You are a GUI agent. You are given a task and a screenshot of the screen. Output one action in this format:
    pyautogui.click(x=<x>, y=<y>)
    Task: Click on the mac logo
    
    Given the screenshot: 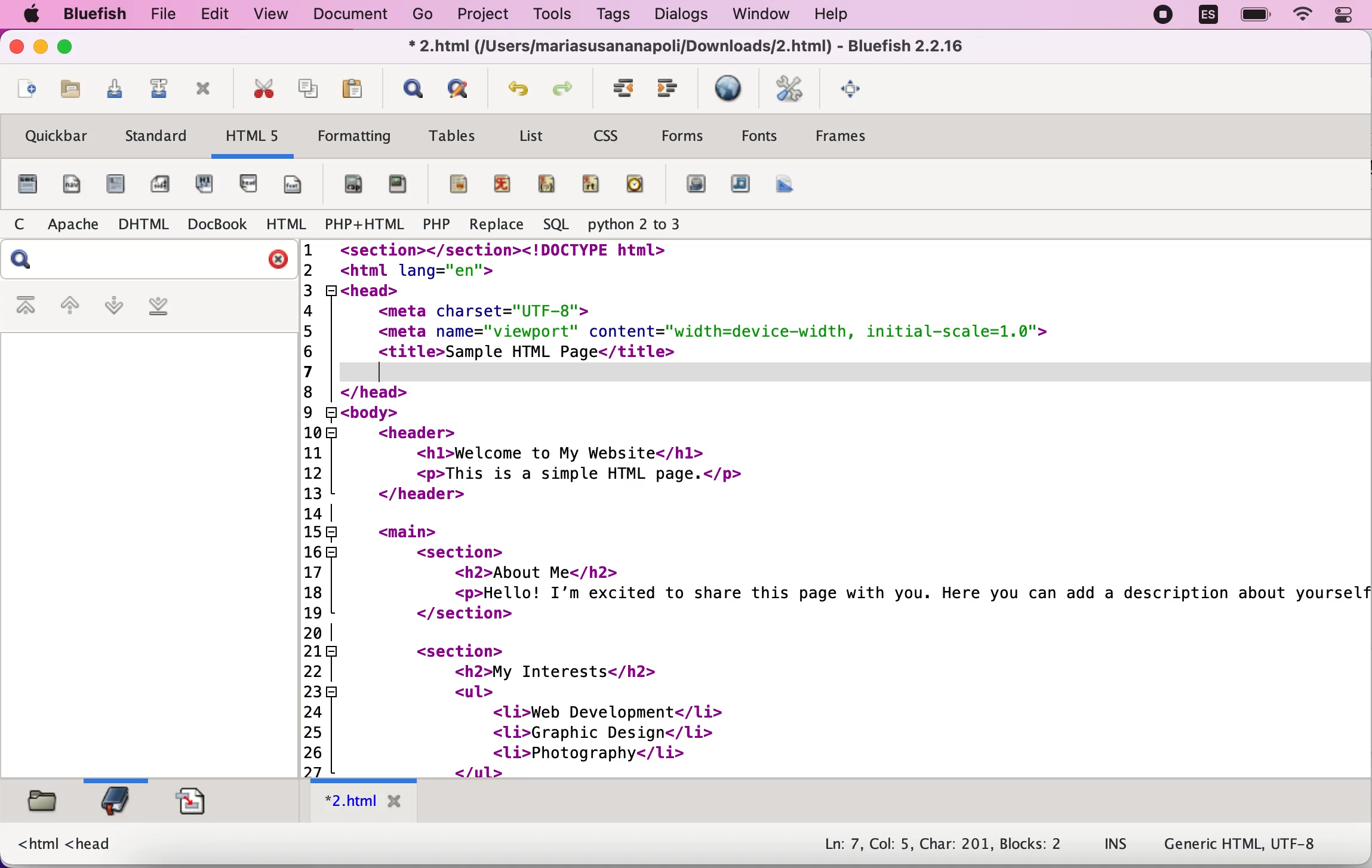 What is the action you would take?
    pyautogui.click(x=33, y=14)
    